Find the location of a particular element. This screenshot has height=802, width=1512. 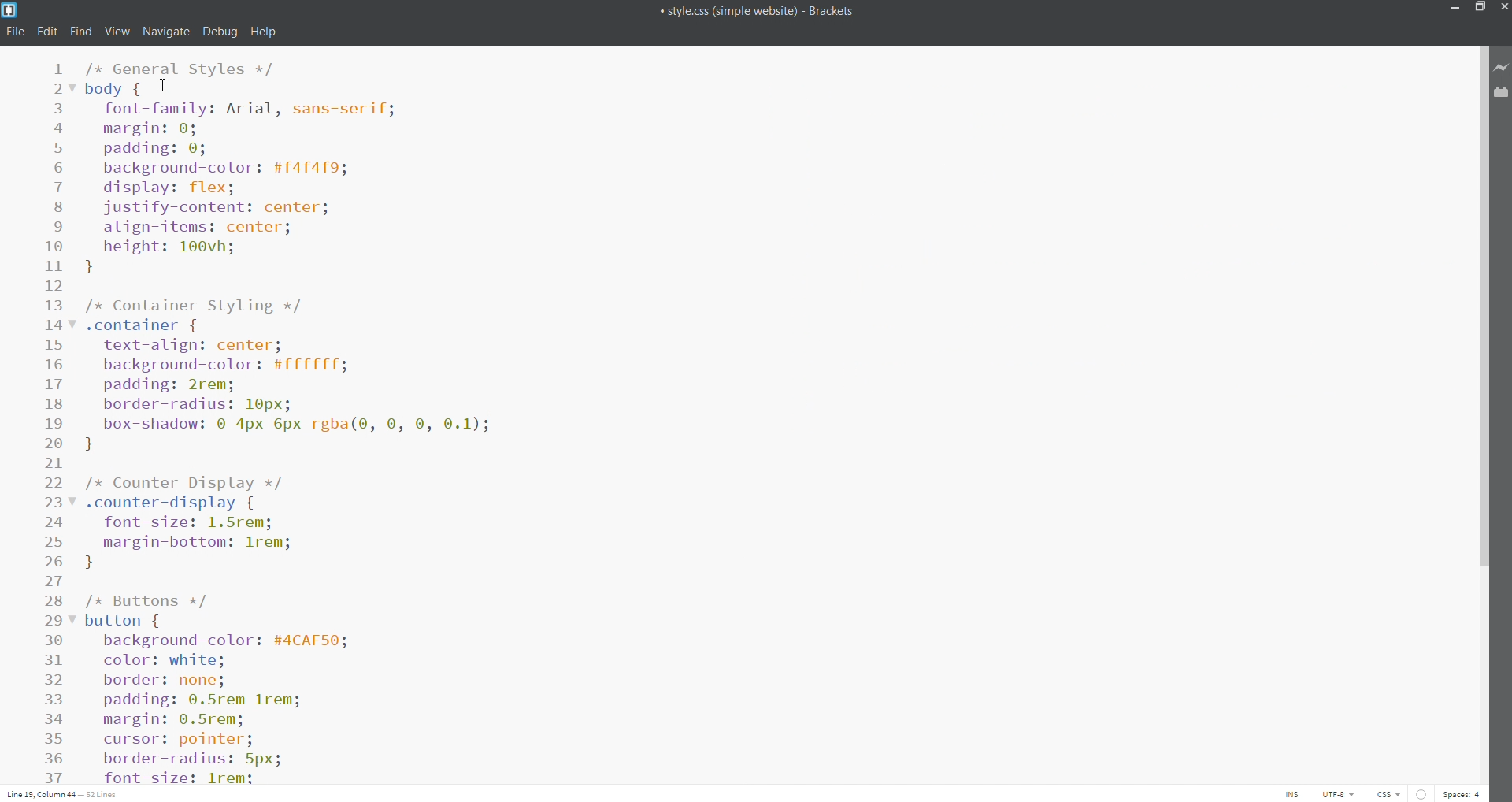

error is located at coordinates (1420, 793).